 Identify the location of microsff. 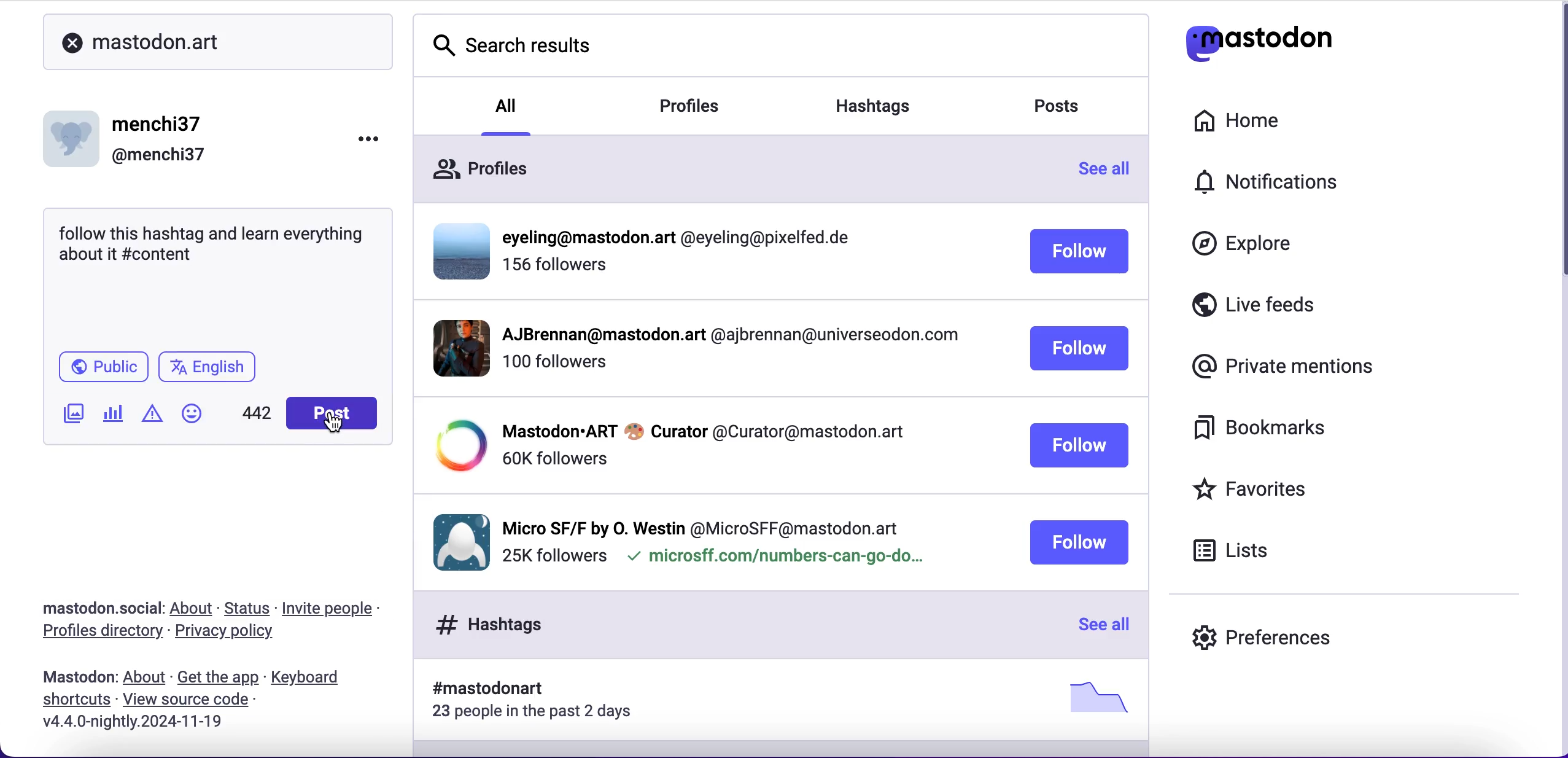
(774, 559).